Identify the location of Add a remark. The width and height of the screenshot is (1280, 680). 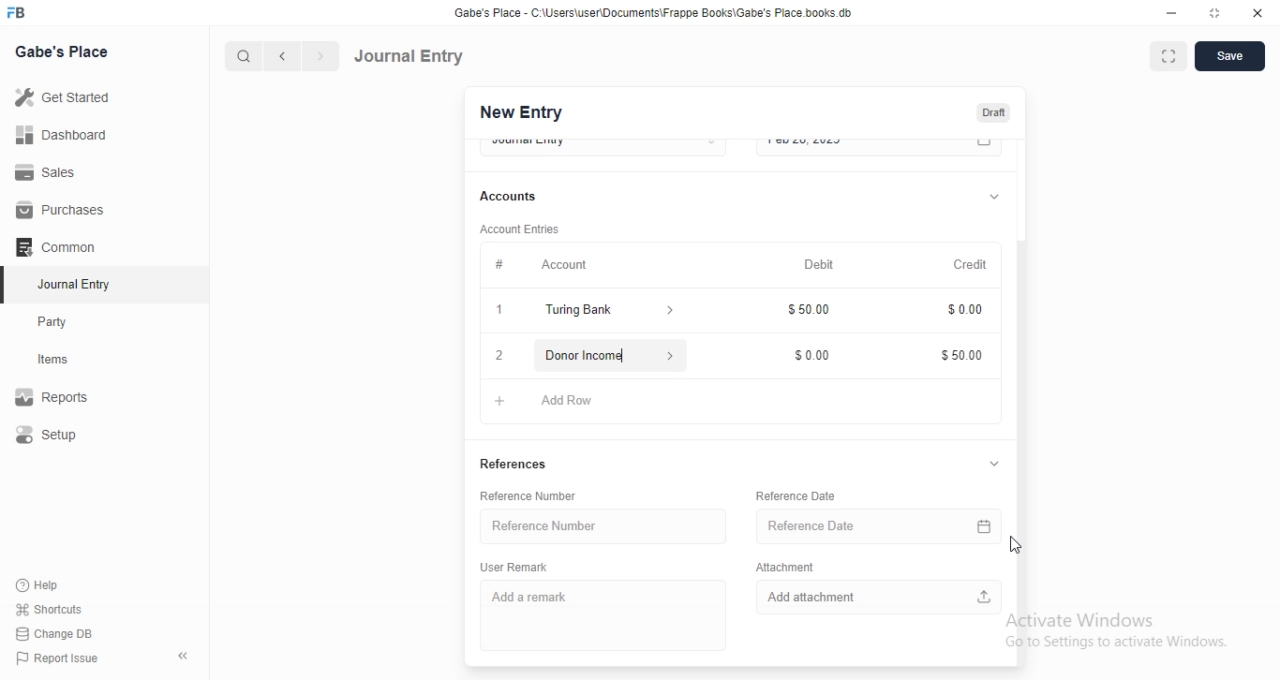
(599, 615).